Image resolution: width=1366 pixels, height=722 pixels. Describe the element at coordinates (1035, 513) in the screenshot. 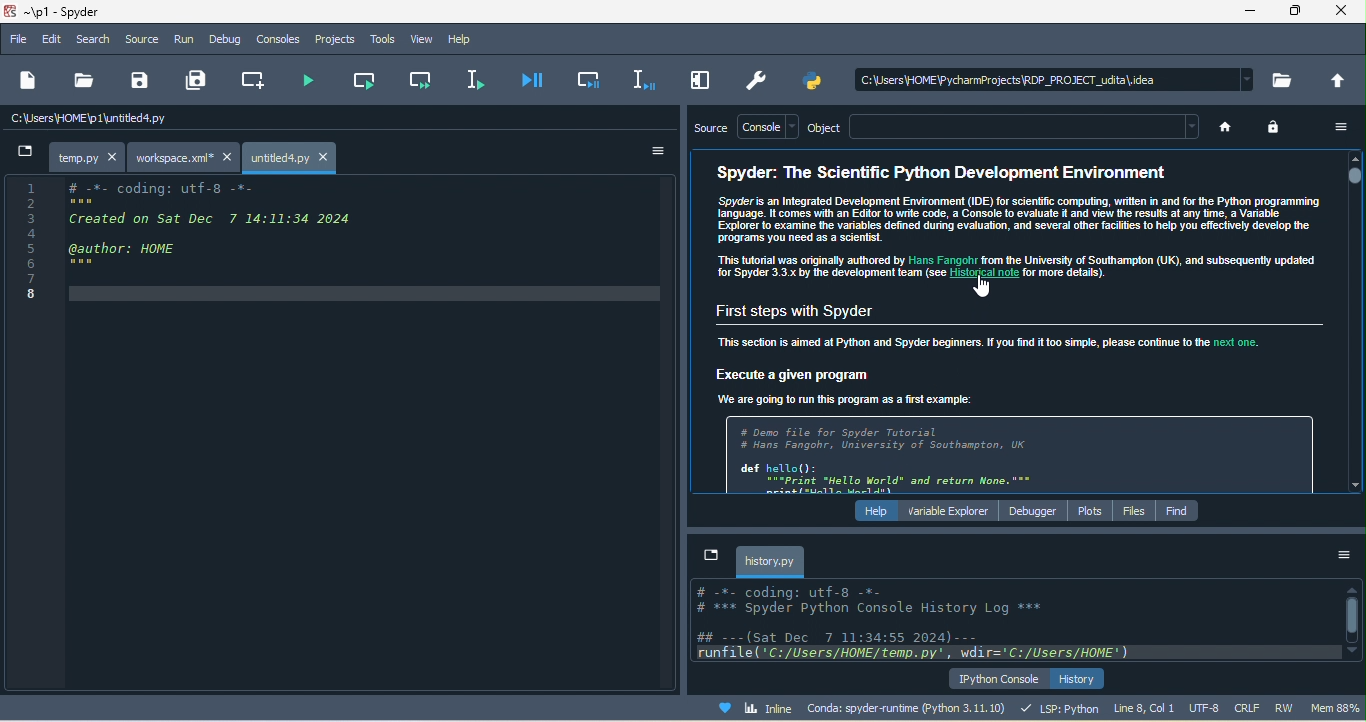

I see `debugger` at that location.